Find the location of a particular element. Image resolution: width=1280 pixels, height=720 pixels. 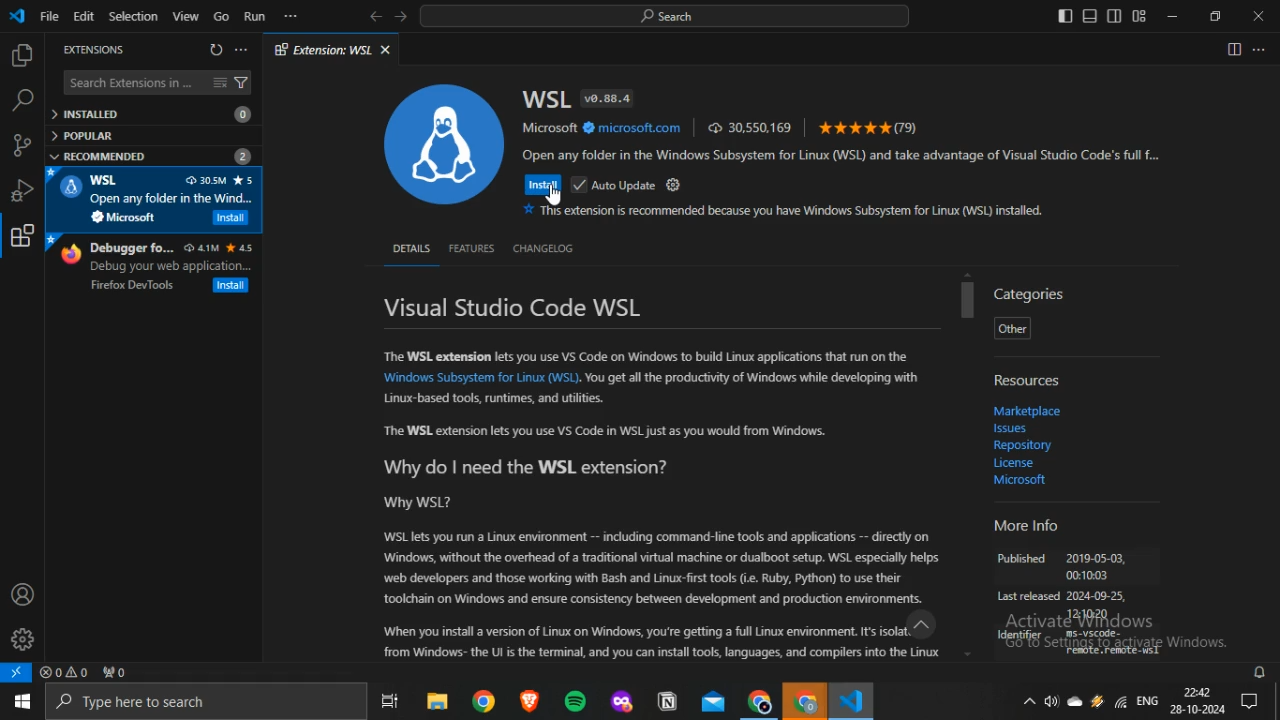

Edit is located at coordinates (82, 16).